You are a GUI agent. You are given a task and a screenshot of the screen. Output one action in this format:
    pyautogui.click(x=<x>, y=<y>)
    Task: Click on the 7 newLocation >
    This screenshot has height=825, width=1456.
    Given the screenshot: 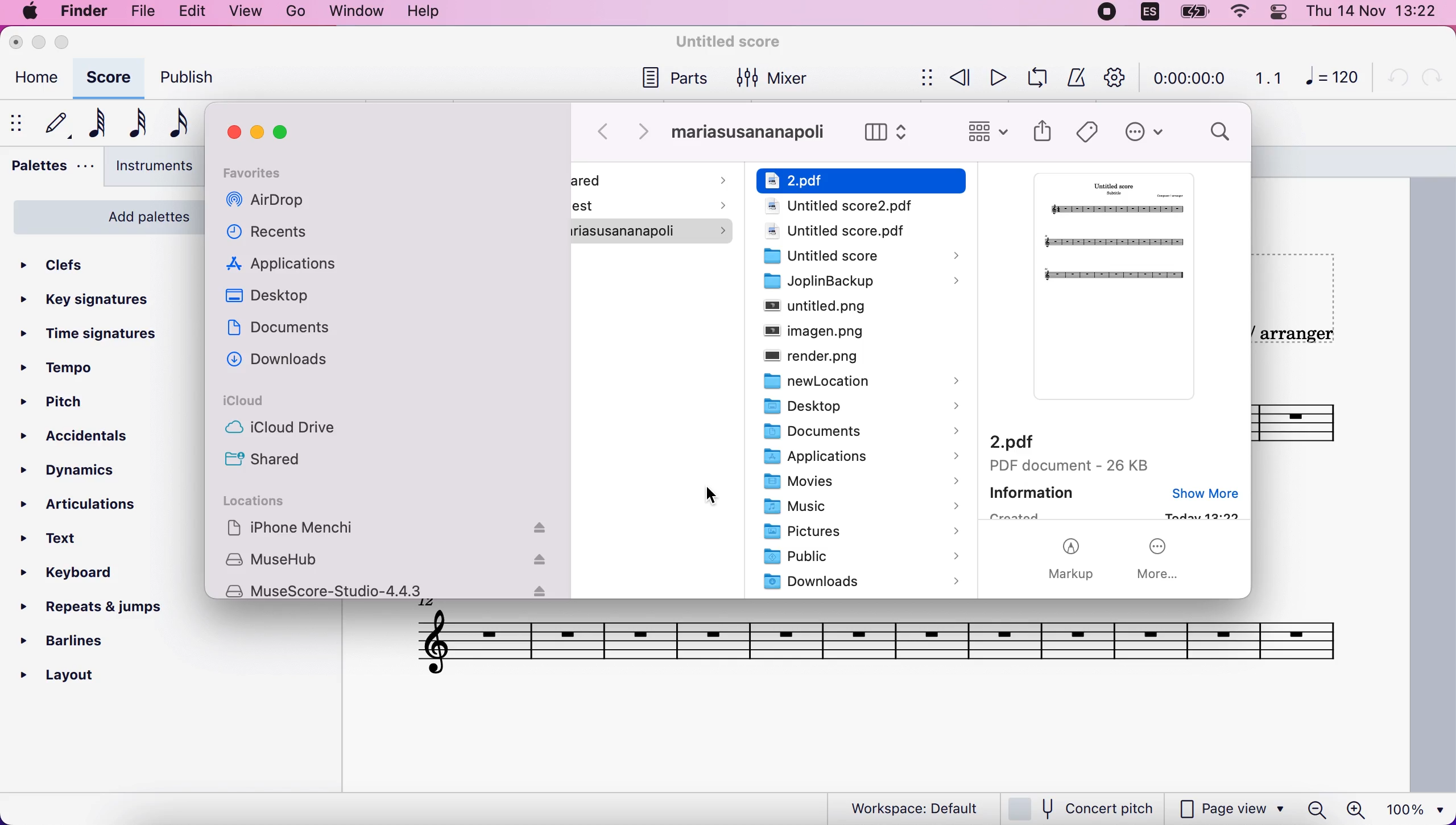 What is the action you would take?
    pyautogui.click(x=851, y=381)
    